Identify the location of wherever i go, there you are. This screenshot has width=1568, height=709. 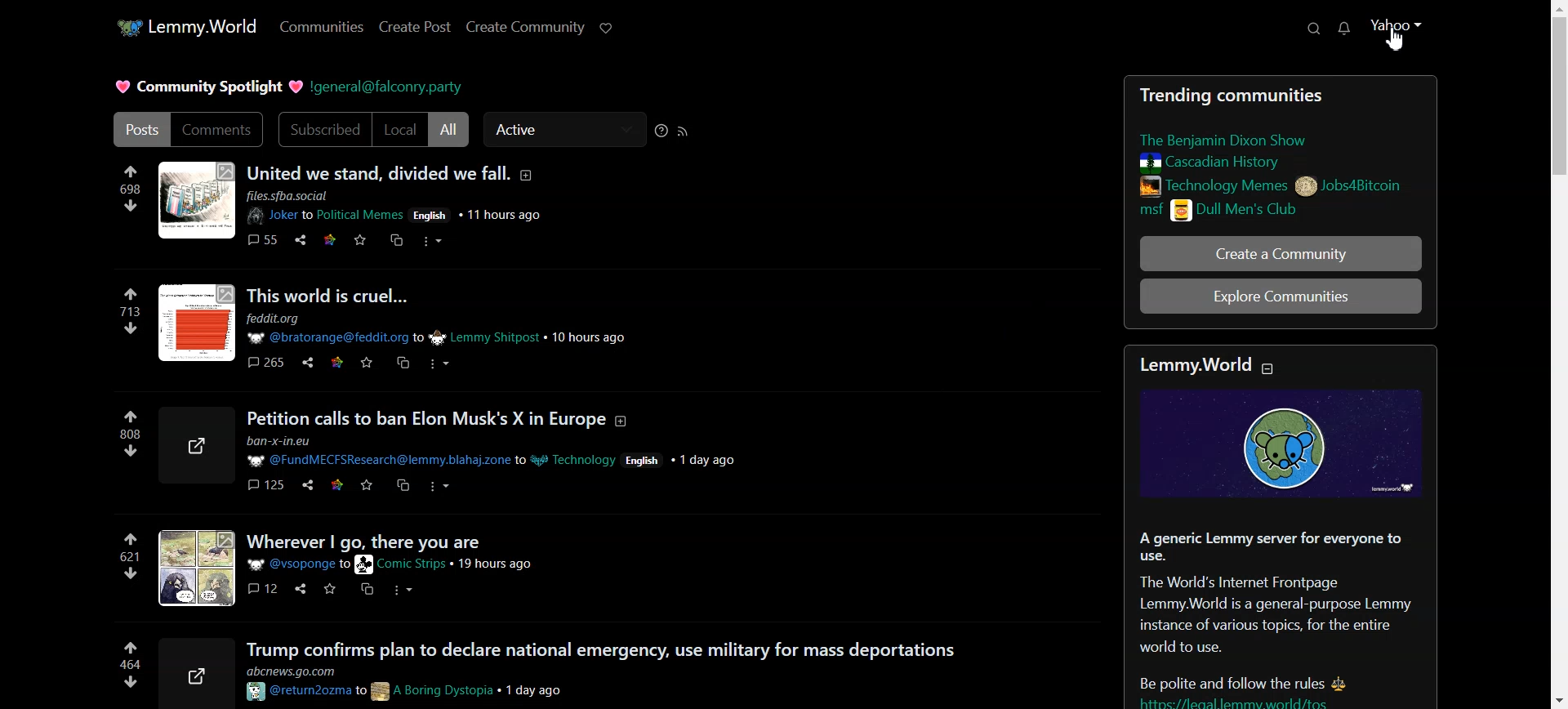
(403, 542).